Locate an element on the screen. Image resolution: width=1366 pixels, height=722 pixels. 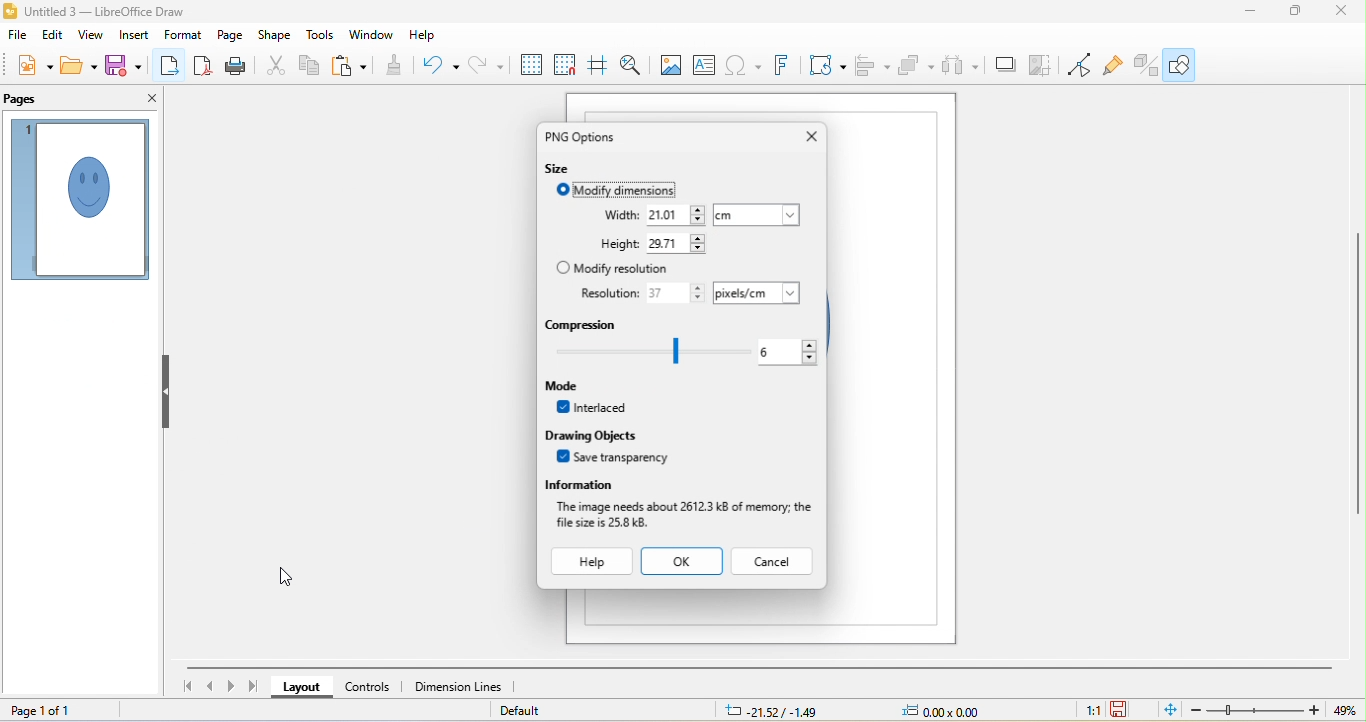
cut is located at coordinates (276, 65).